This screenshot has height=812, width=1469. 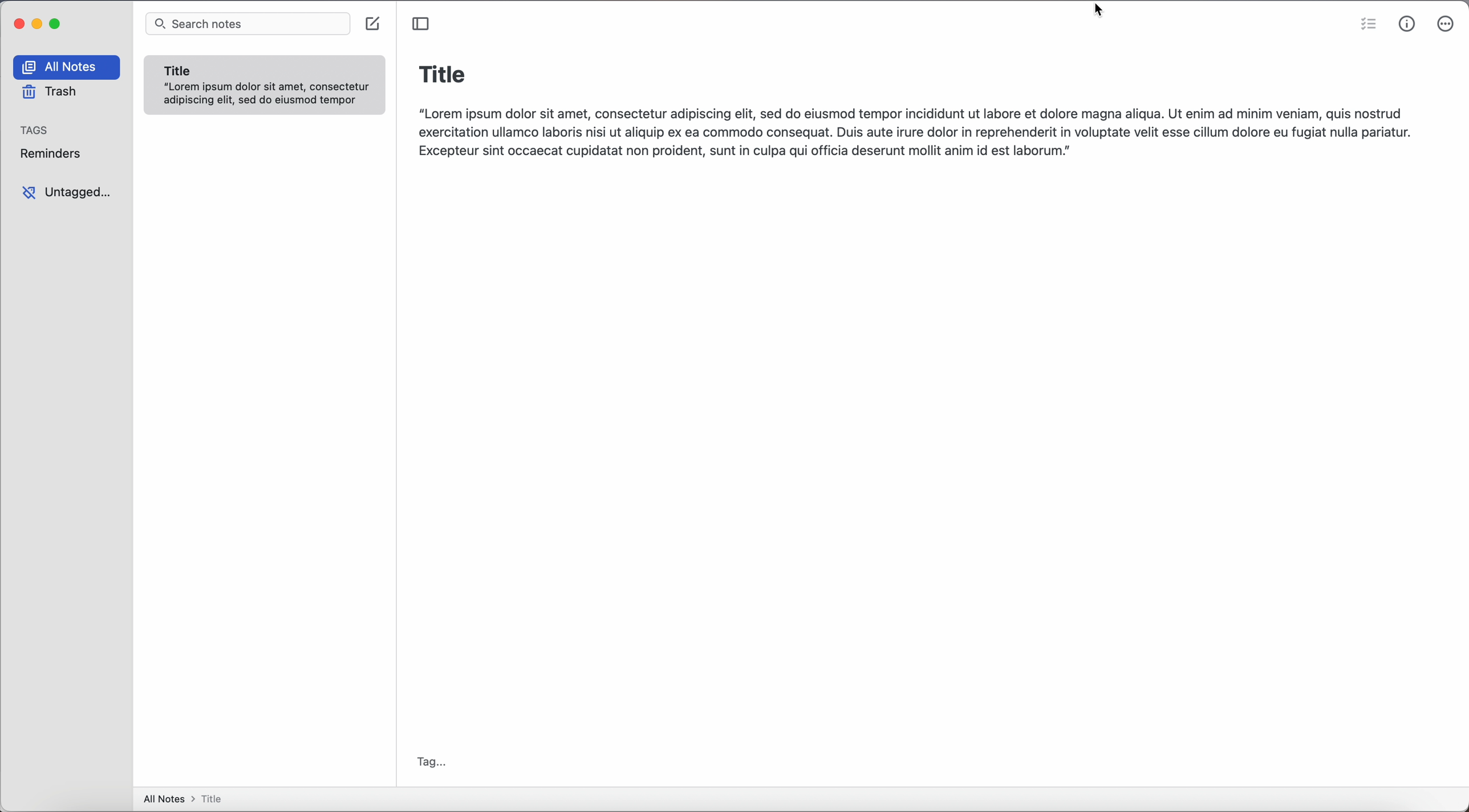 What do you see at coordinates (36, 129) in the screenshot?
I see `tags` at bounding box center [36, 129].